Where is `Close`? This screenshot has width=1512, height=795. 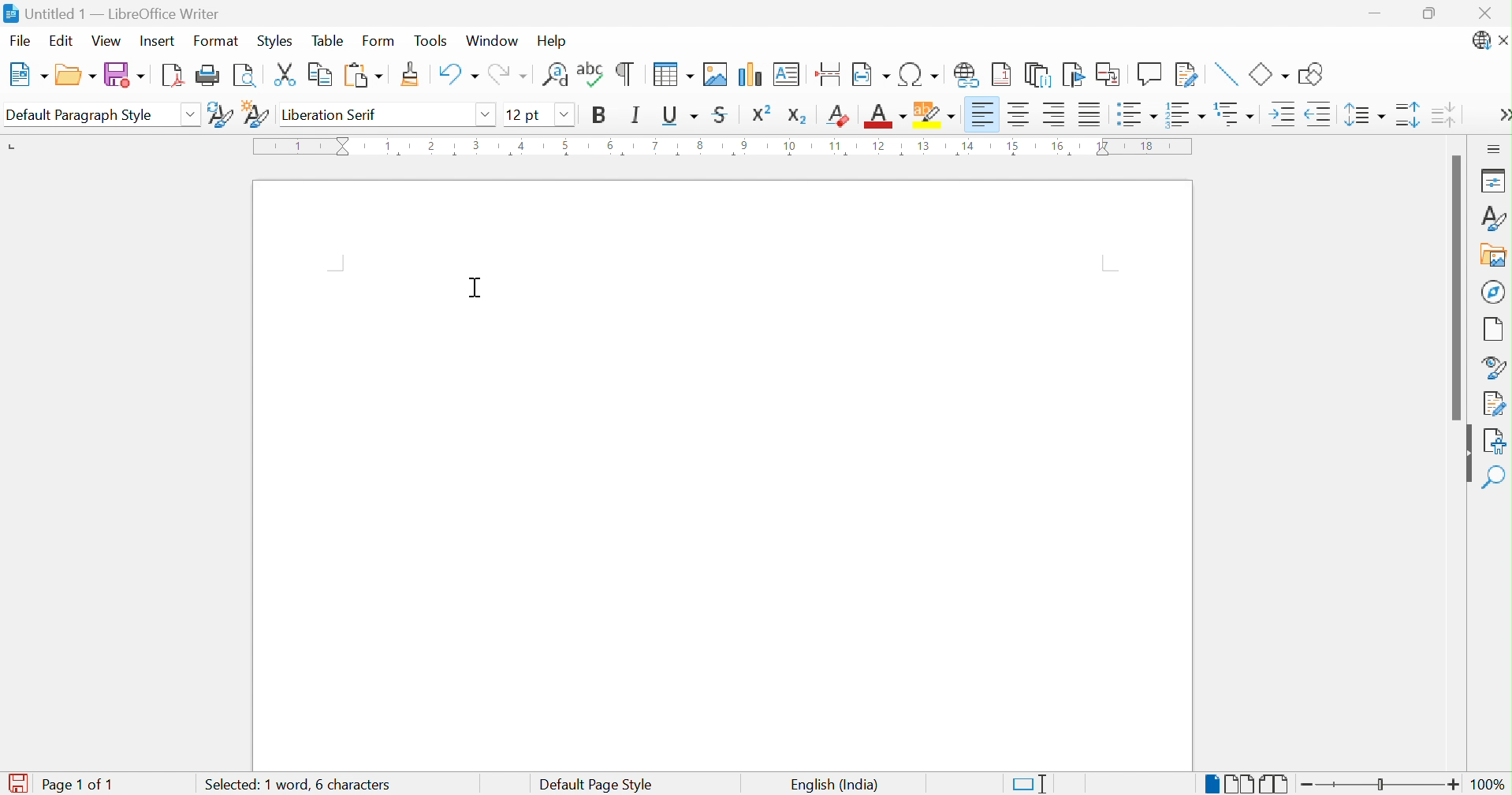 Close is located at coordinates (1503, 42).